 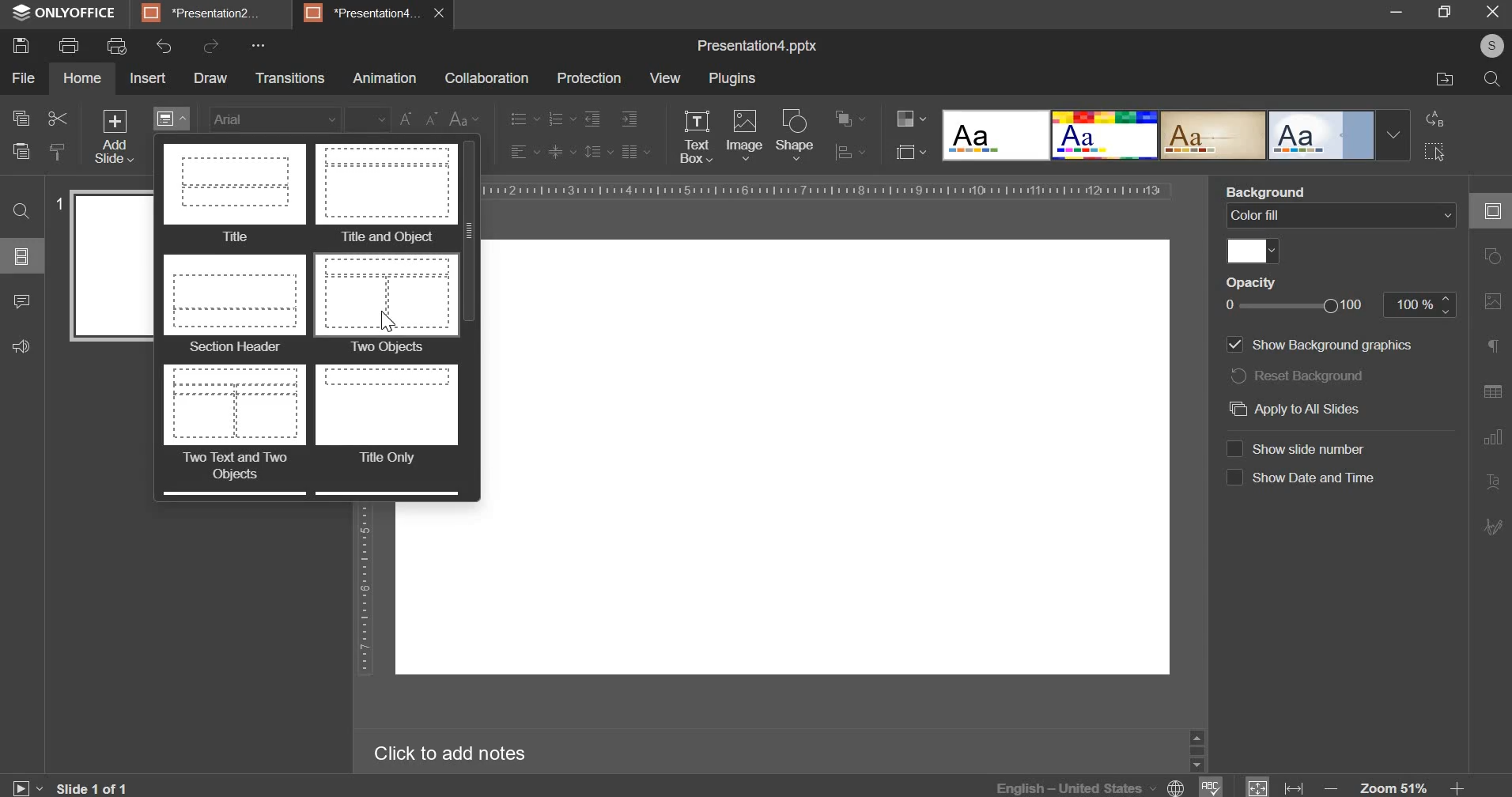 What do you see at coordinates (22, 346) in the screenshot?
I see `feedback` at bounding box center [22, 346].